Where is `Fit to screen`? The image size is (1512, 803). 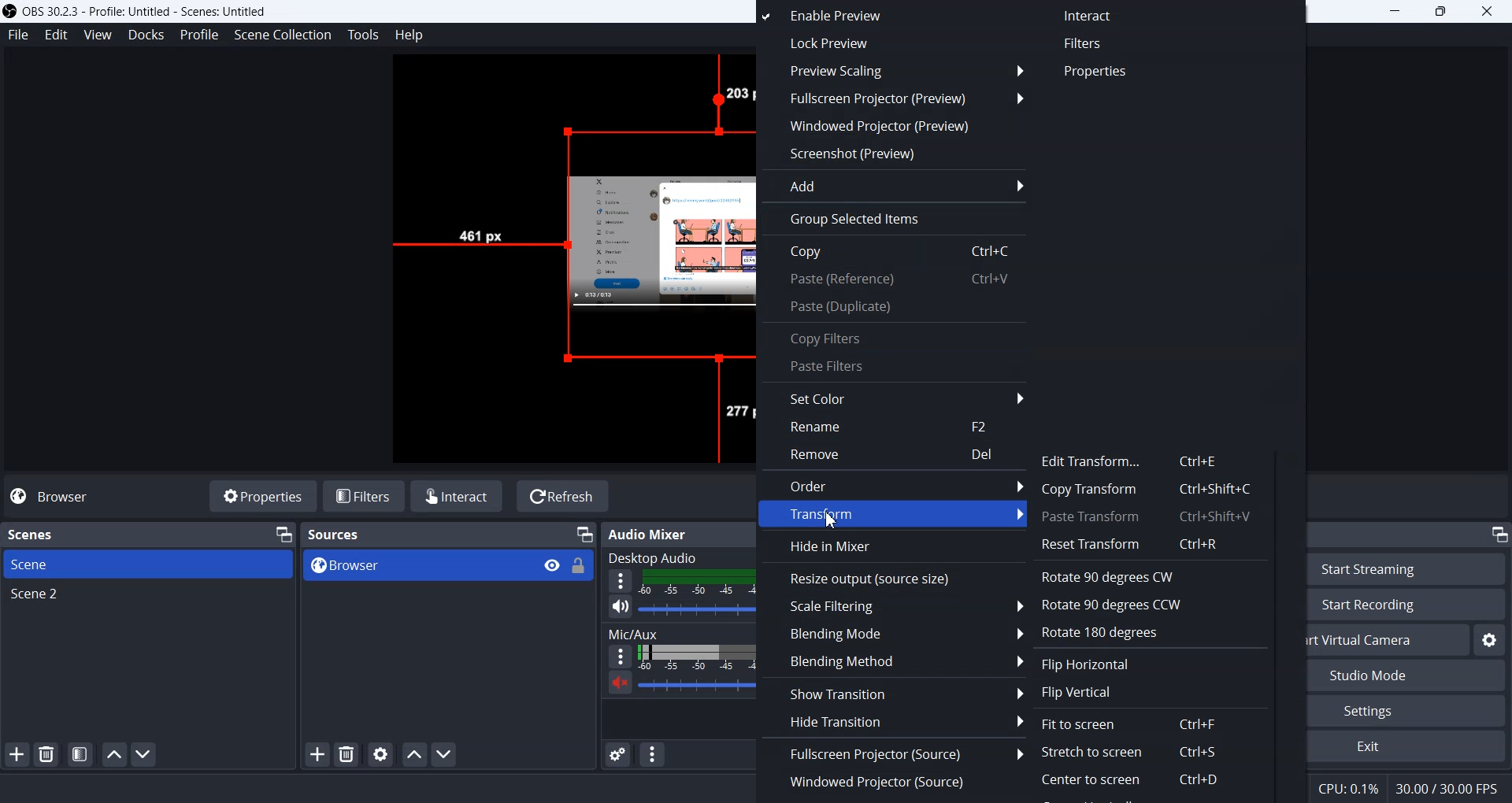
Fit to screen is located at coordinates (1131, 722).